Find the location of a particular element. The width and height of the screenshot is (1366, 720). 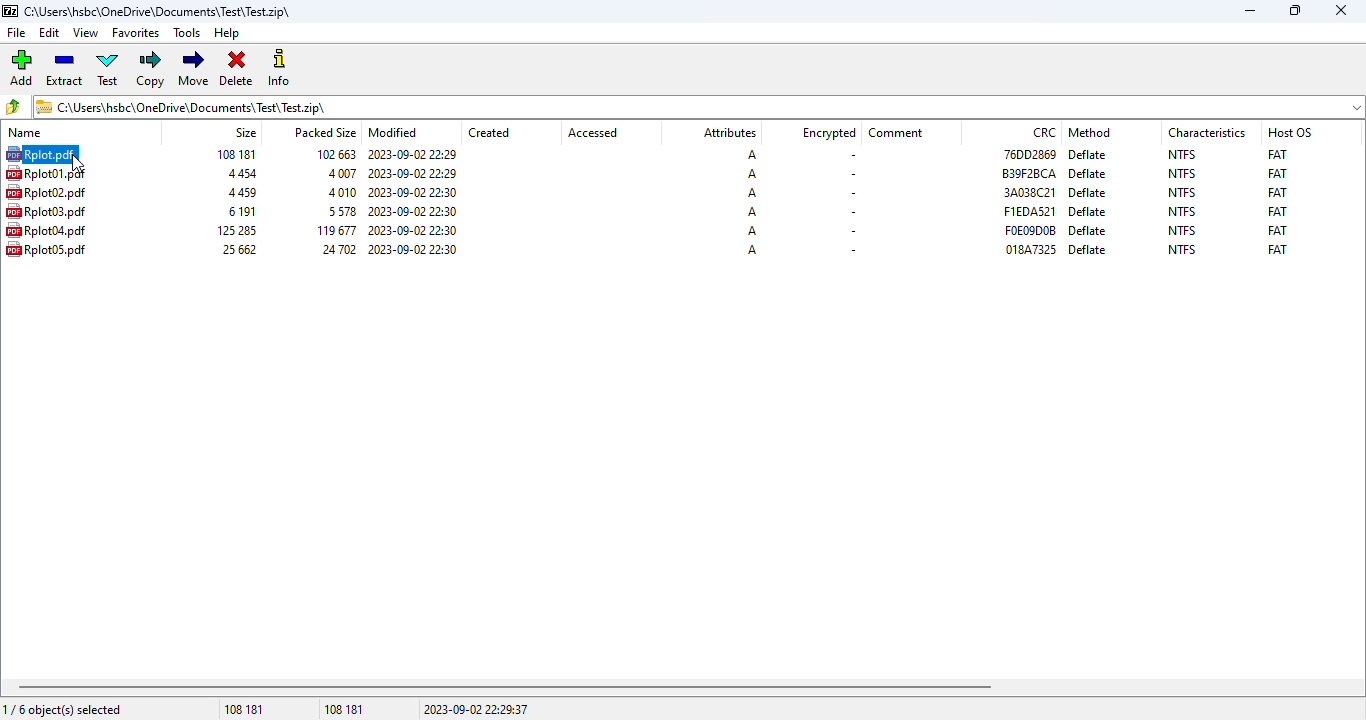

NTFS is located at coordinates (1182, 174).